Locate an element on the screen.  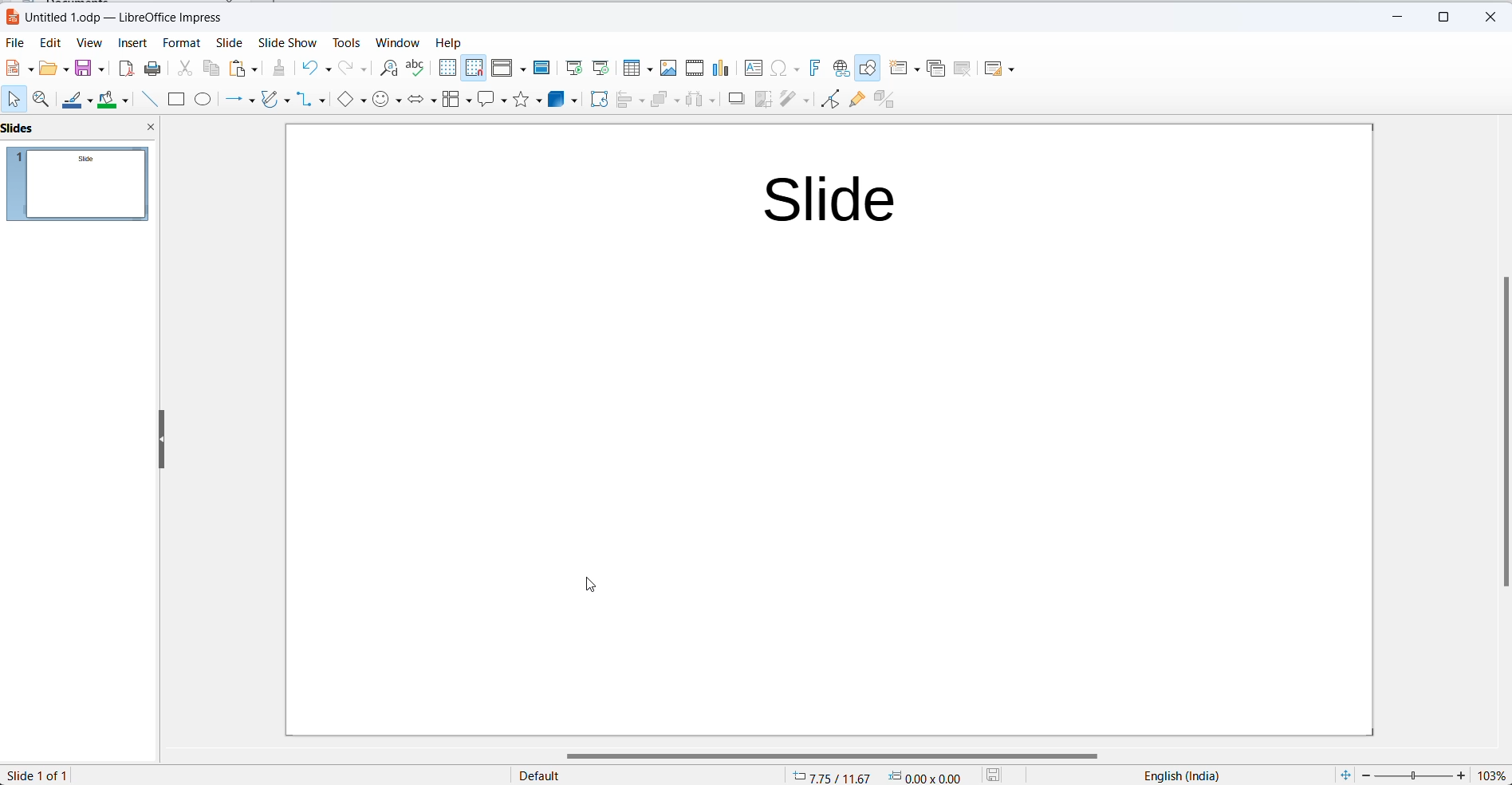
insert audio or video is located at coordinates (695, 67).